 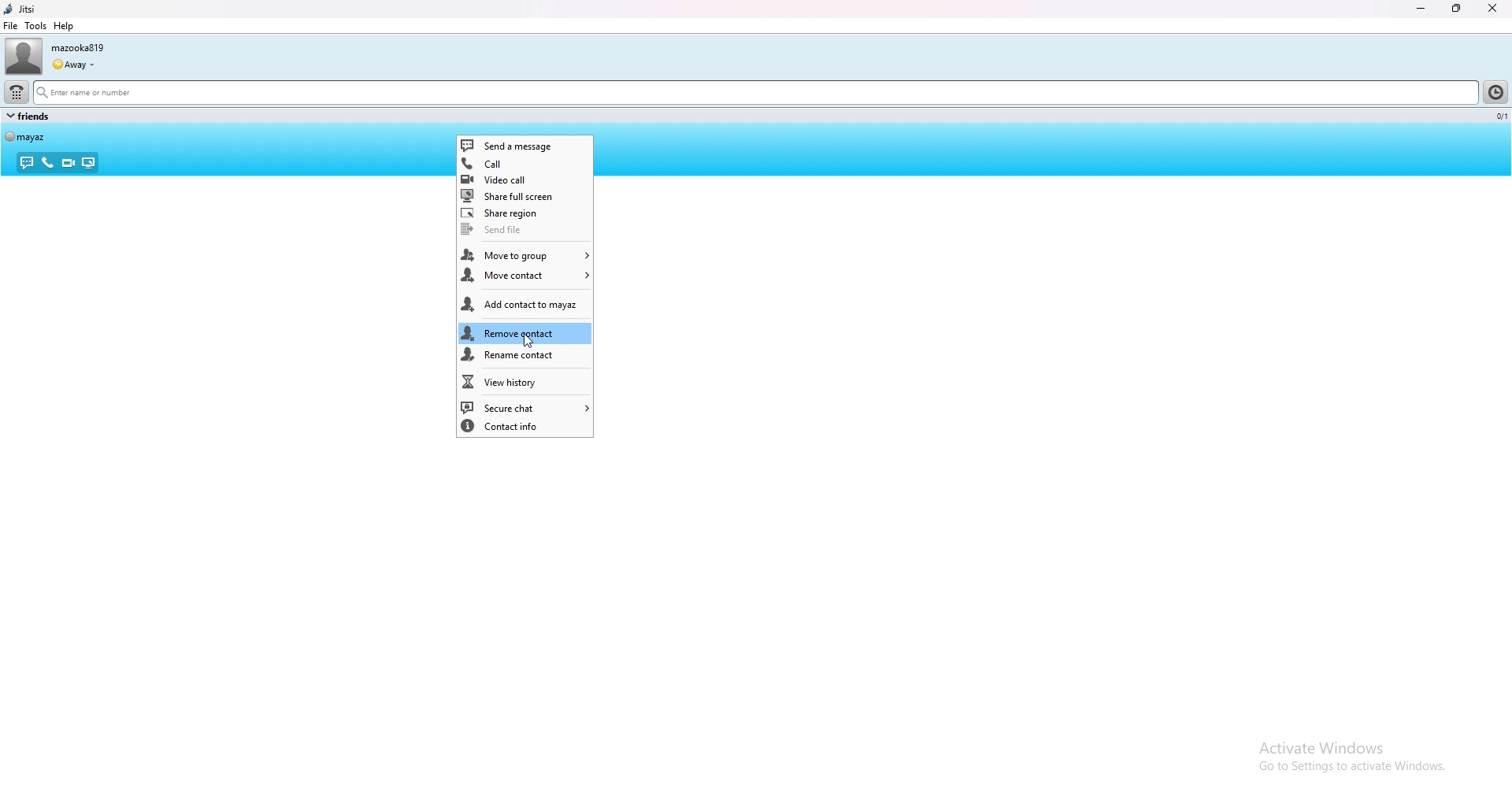 What do you see at coordinates (26, 136) in the screenshot?
I see `contact` at bounding box center [26, 136].